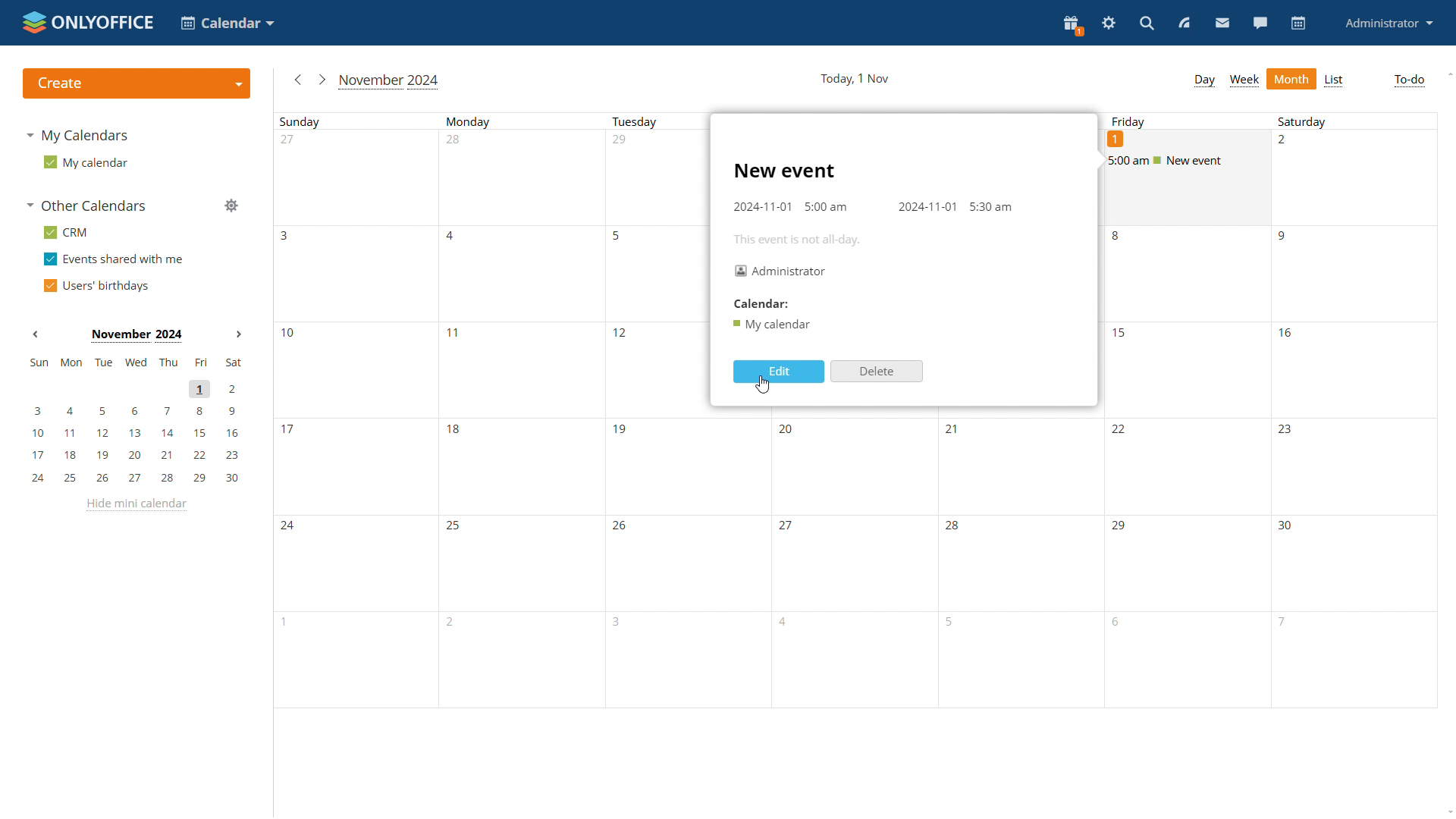  I want to click on delete, so click(877, 372).